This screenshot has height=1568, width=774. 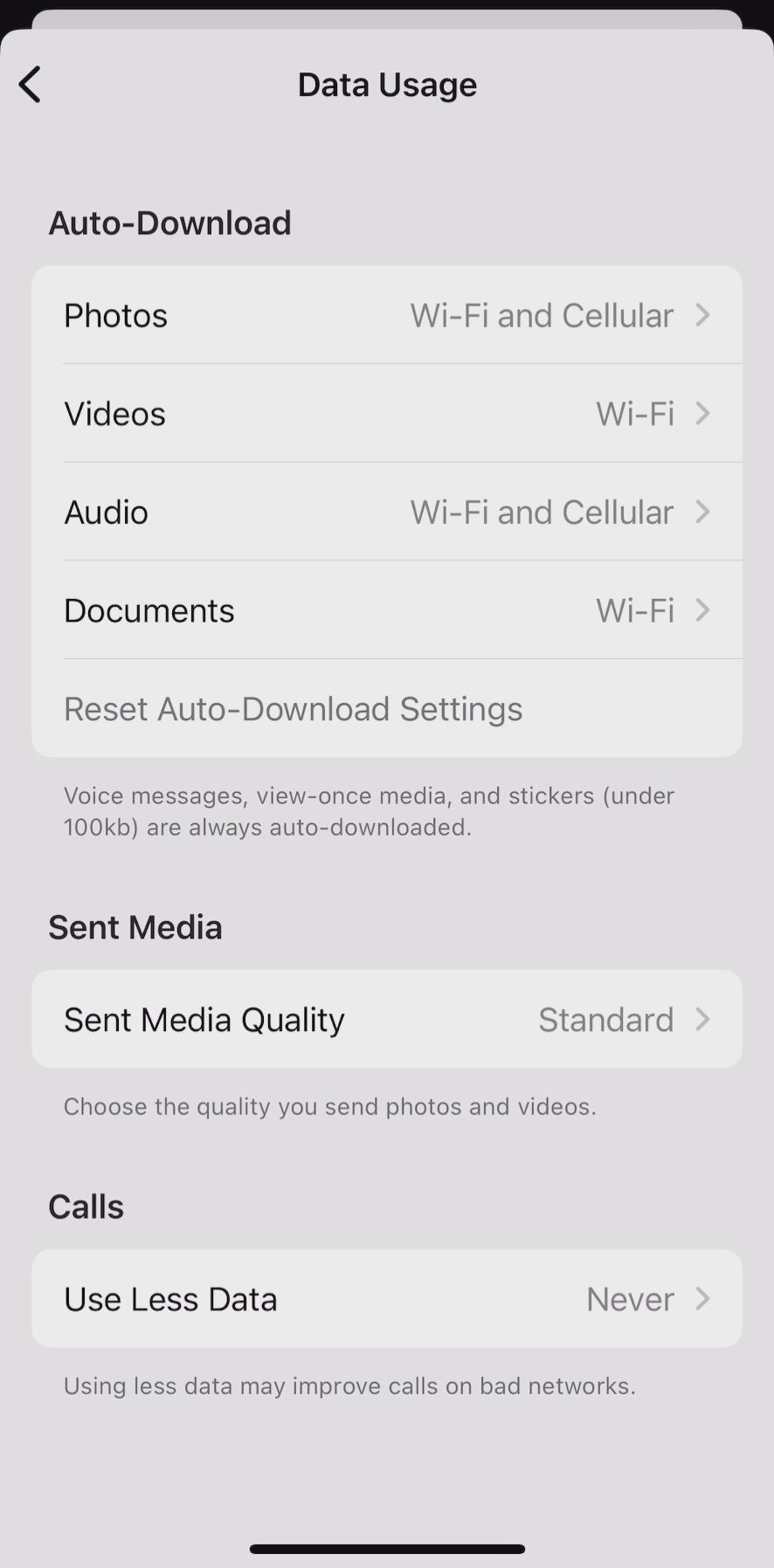 What do you see at coordinates (329, 1117) in the screenshot?
I see `Choose the quality you send photos and videos.` at bounding box center [329, 1117].